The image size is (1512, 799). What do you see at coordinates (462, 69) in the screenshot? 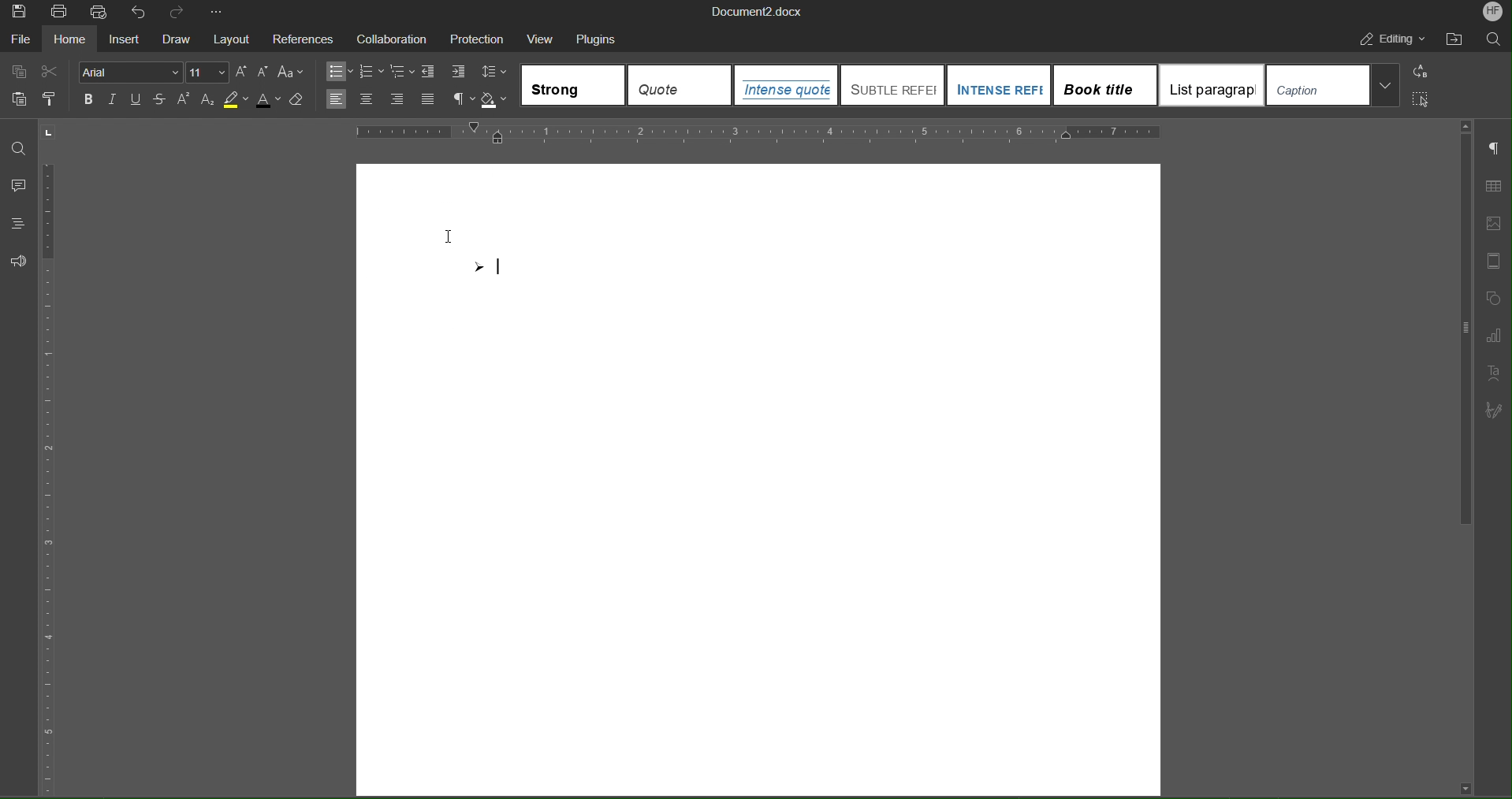
I see `Increase Indent` at bounding box center [462, 69].